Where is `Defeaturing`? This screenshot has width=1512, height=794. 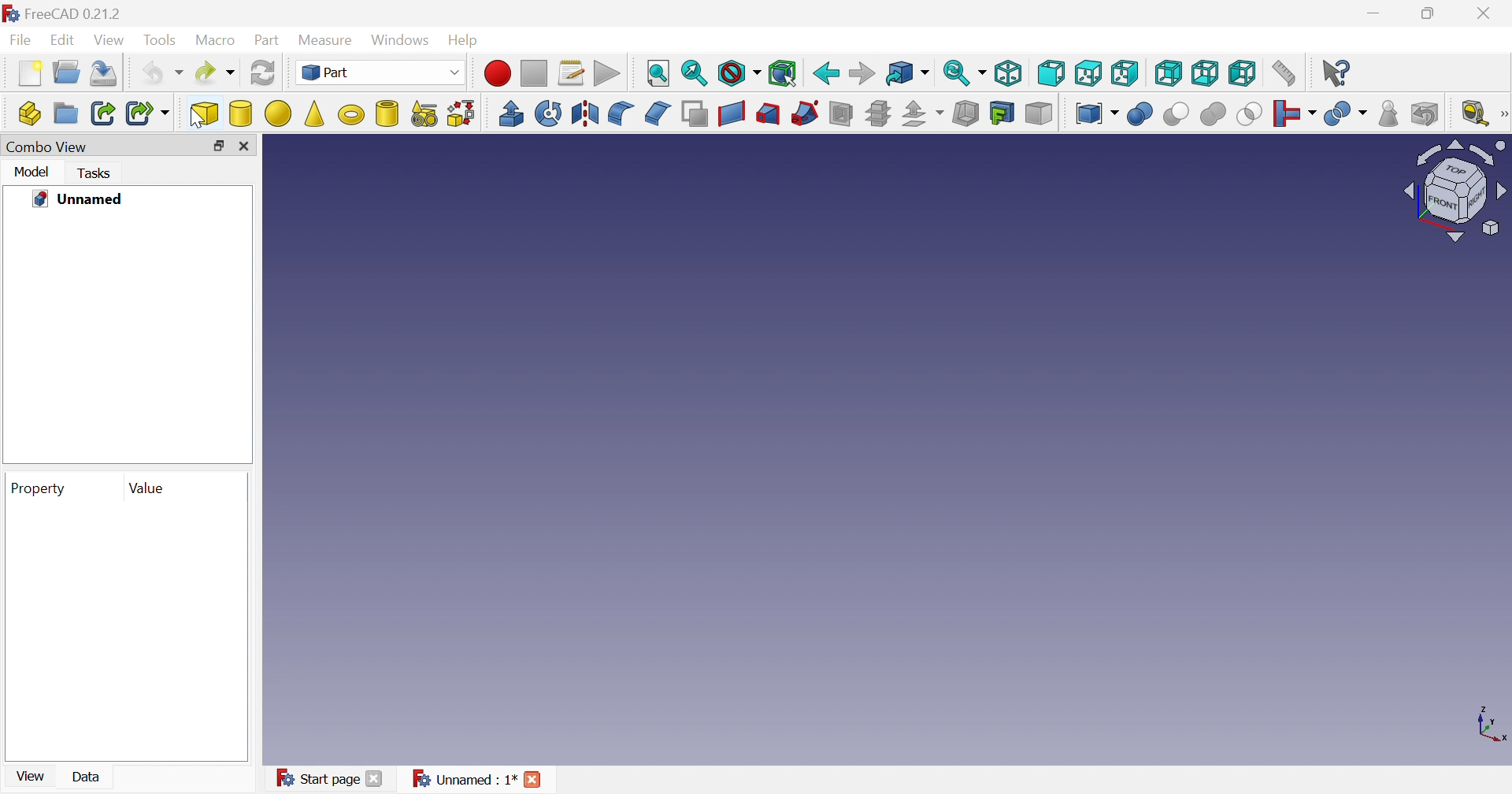 Defeaturing is located at coordinates (1427, 114).